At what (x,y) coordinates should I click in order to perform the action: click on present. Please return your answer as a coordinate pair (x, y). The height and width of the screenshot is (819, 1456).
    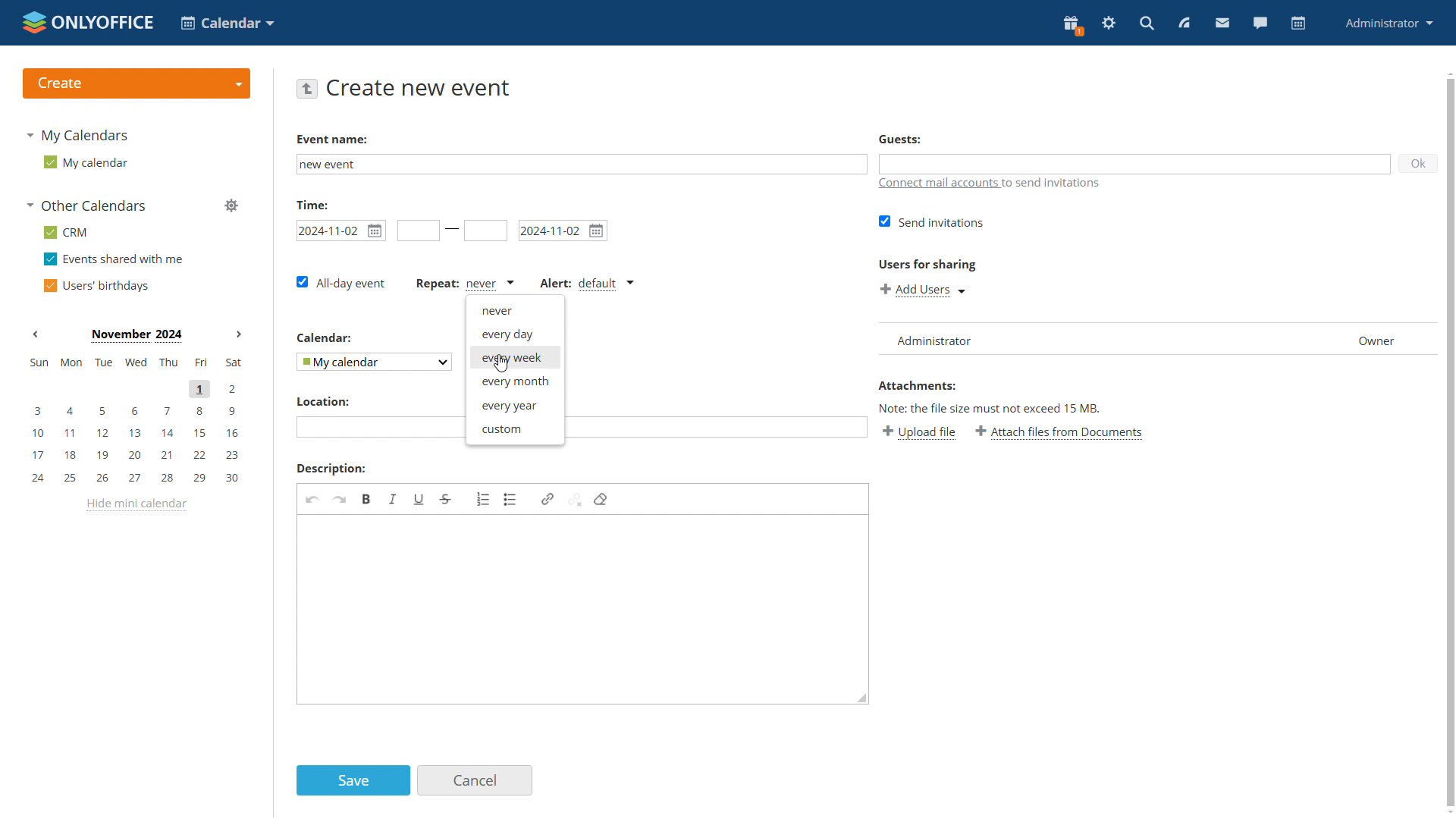
    Looking at the image, I should click on (1072, 26).